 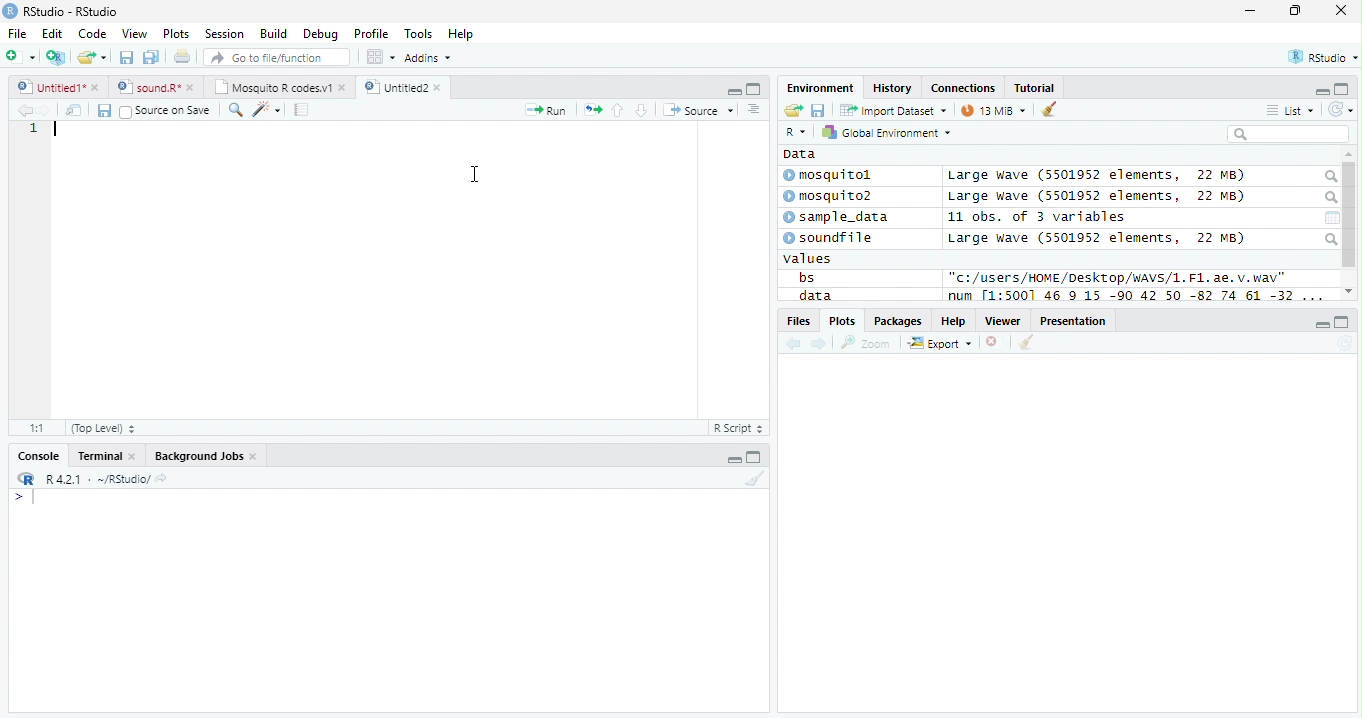 What do you see at coordinates (1049, 108) in the screenshot?
I see `clear console` at bounding box center [1049, 108].